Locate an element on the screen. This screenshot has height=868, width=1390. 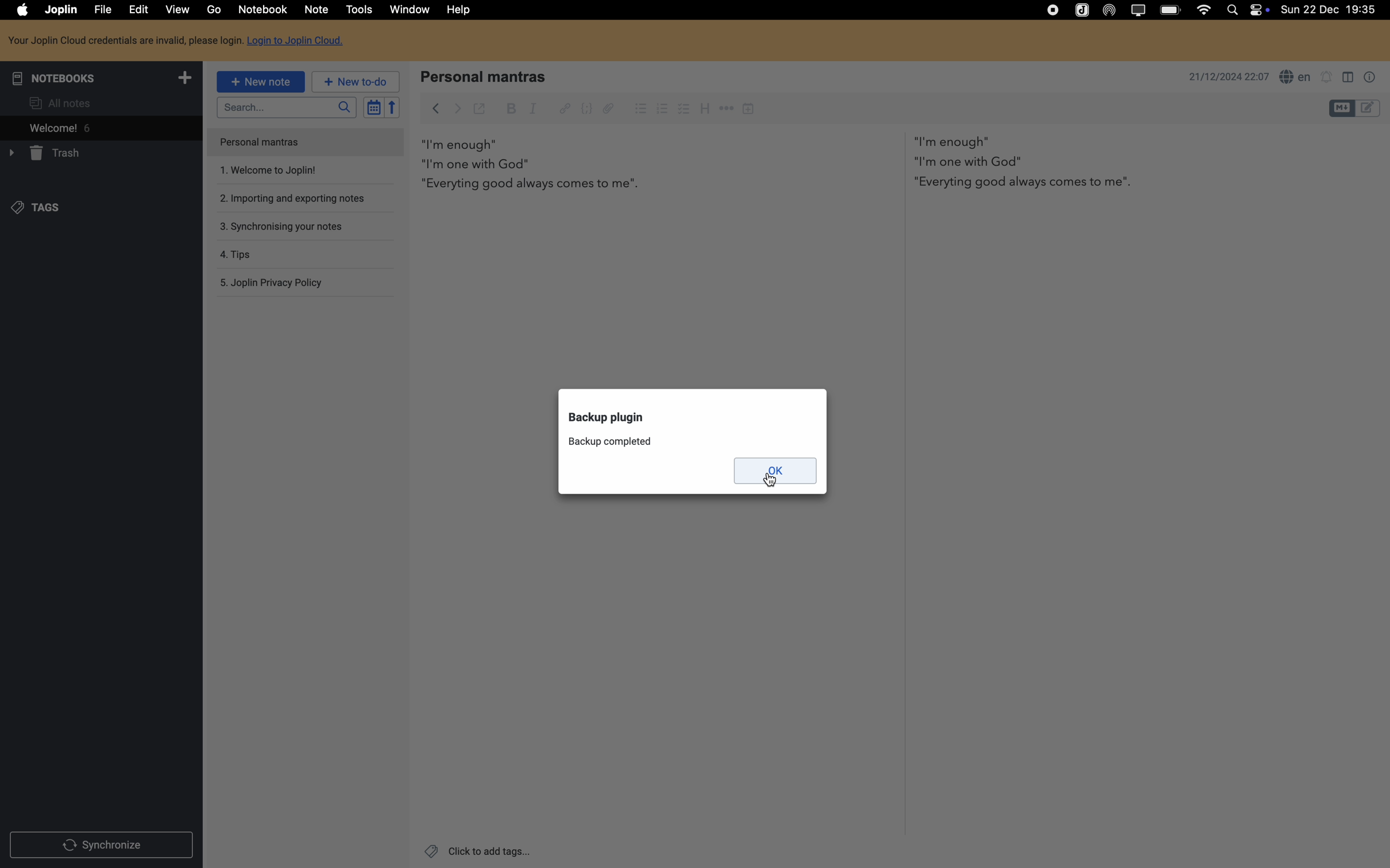
trash is located at coordinates (56, 154).